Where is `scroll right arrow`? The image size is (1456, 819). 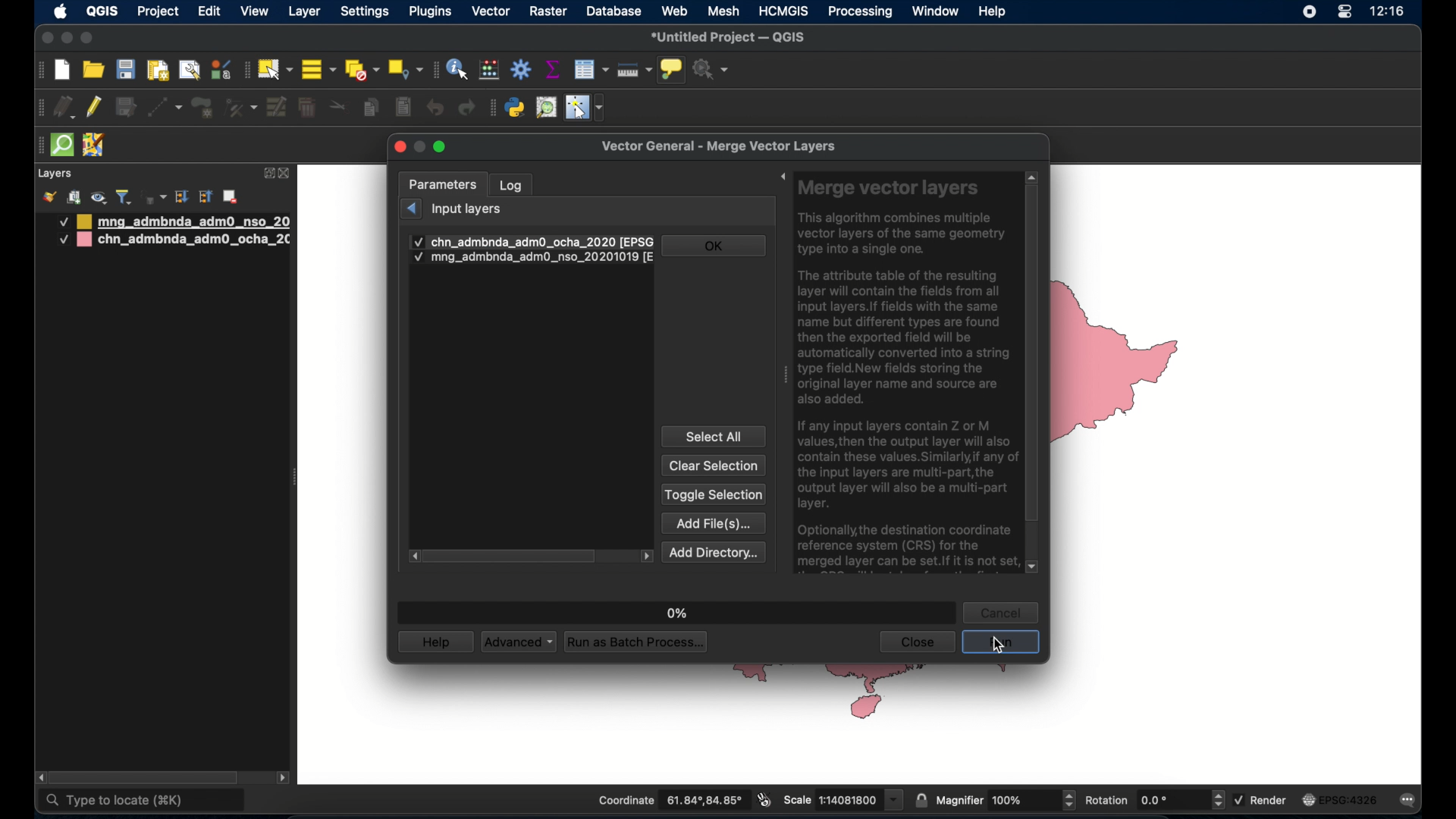 scroll right arrow is located at coordinates (284, 780).